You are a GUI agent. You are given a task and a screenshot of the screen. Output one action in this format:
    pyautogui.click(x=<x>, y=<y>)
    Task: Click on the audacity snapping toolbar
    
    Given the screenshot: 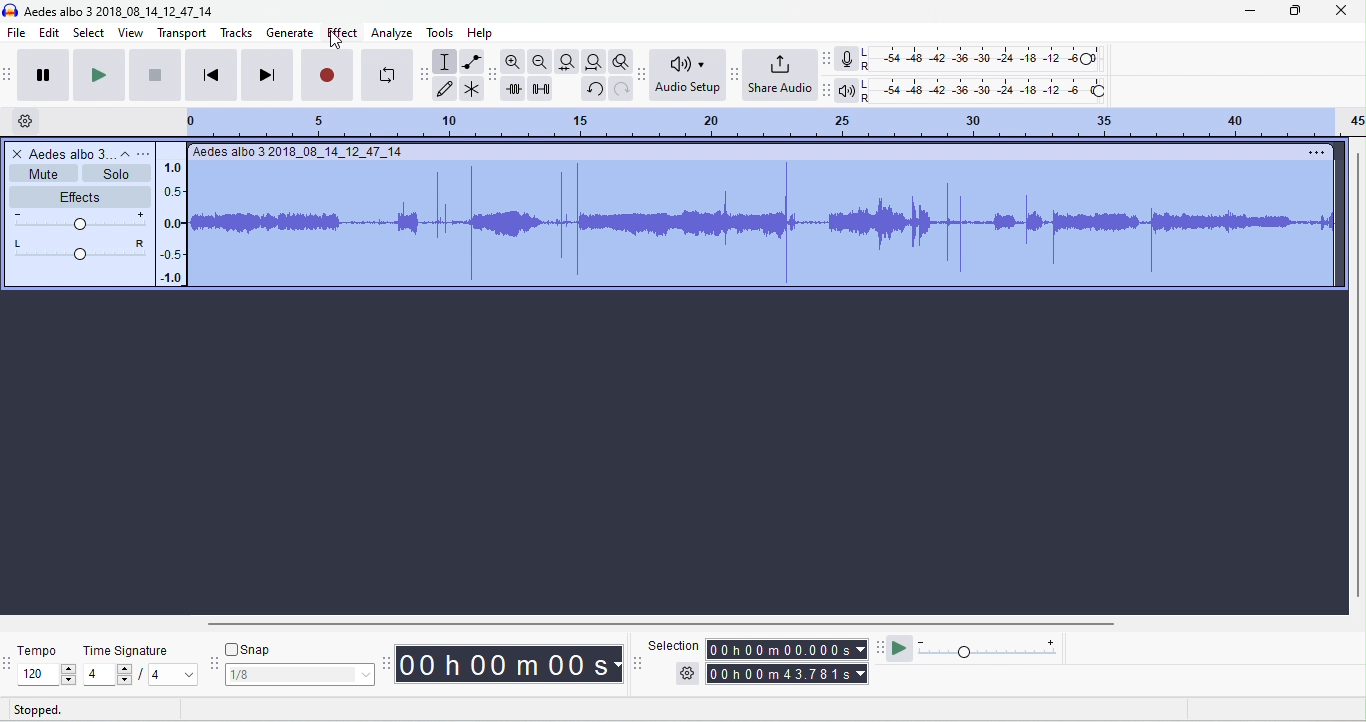 What is the action you would take?
    pyautogui.click(x=215, y=663)
    